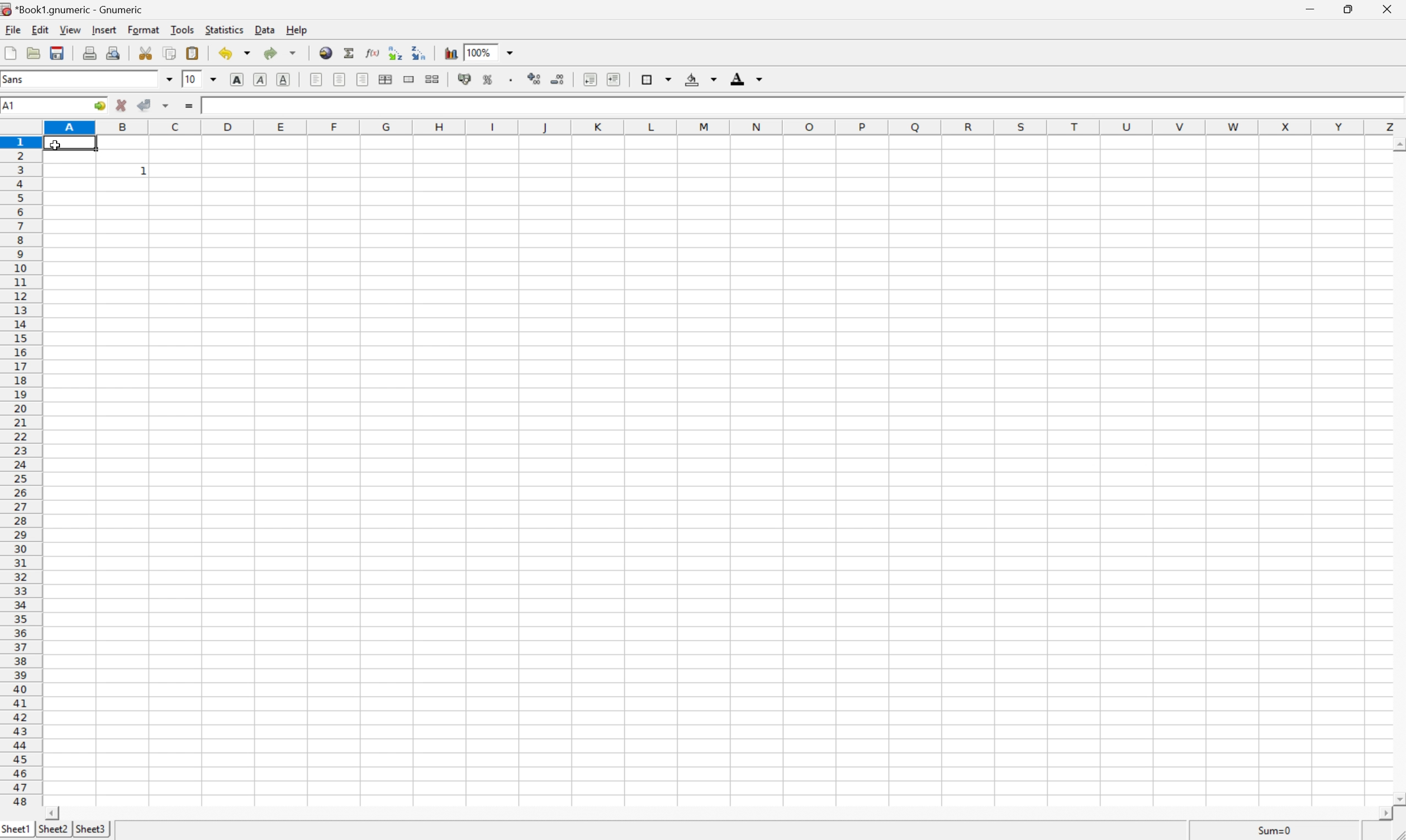 This screenshot has height=840, width=1406. Describe the element at coordinates (324, 53) in the screenshot. I see `insert hyperlink` at that location.